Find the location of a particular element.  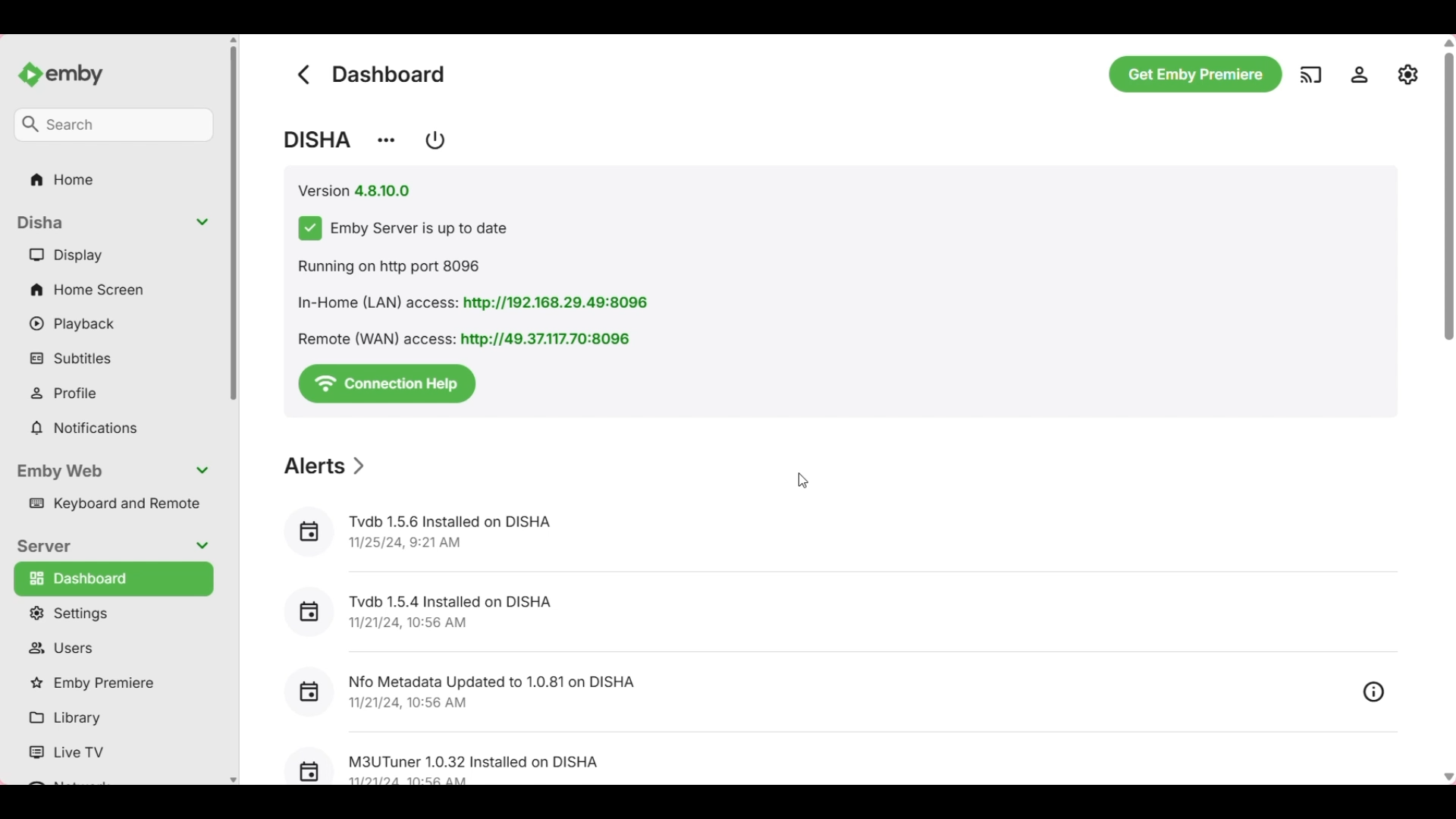

Recent alert is located at coordinates (837, 535).